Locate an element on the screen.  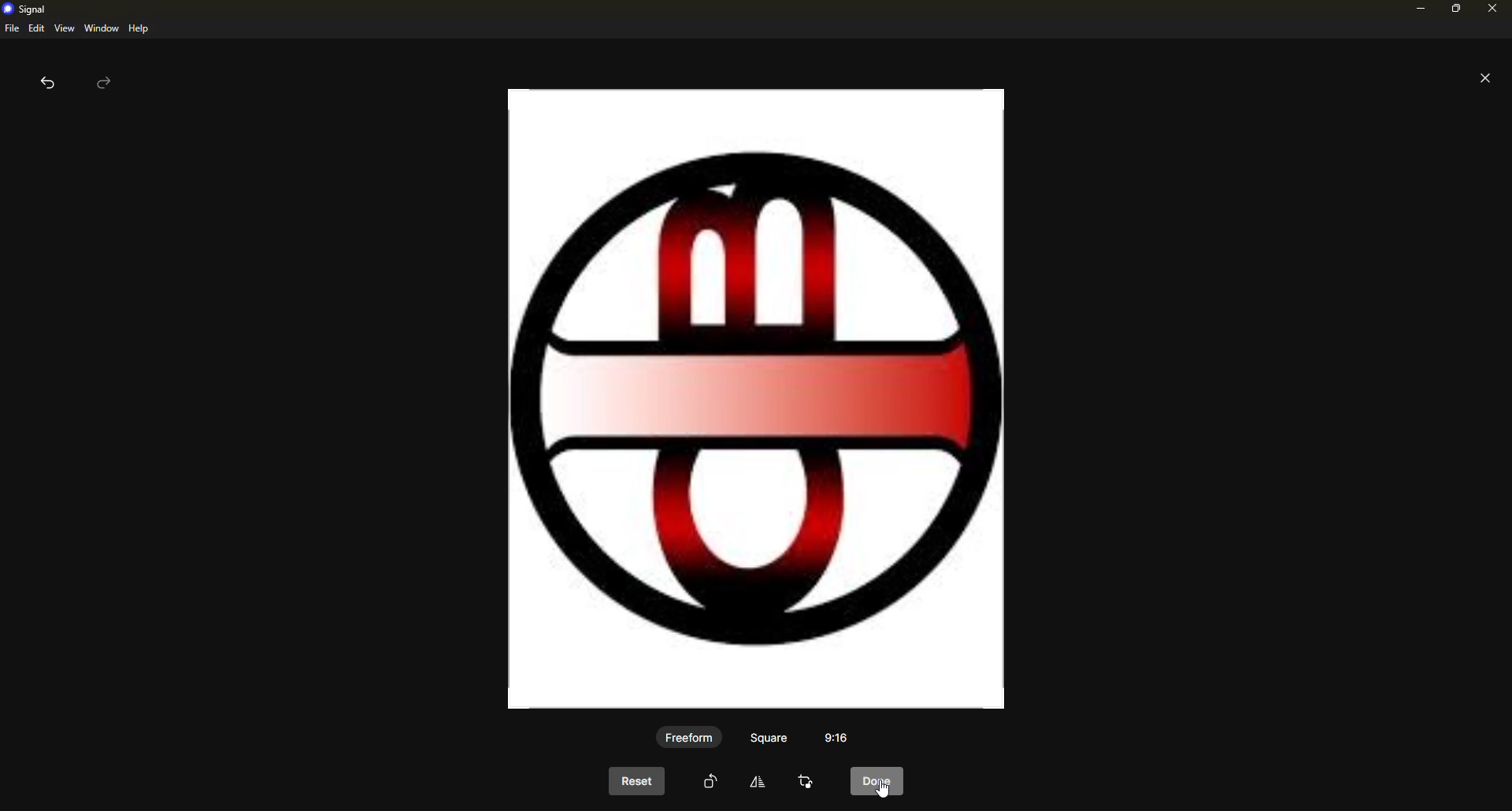
image rotated is located at coordinates (758, 399).